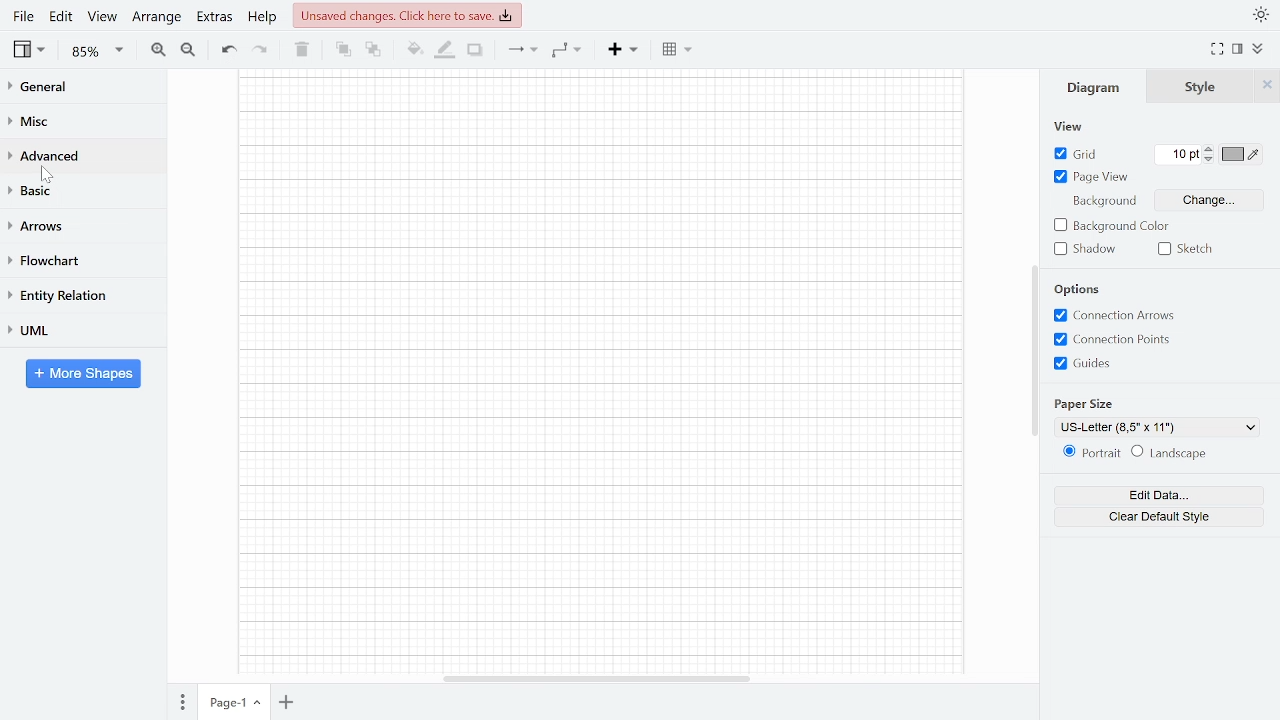 The image size is (1280, 720). Describe the element at coordinates (1087, 250) in the screenshot. I see `Shadow` at that location.